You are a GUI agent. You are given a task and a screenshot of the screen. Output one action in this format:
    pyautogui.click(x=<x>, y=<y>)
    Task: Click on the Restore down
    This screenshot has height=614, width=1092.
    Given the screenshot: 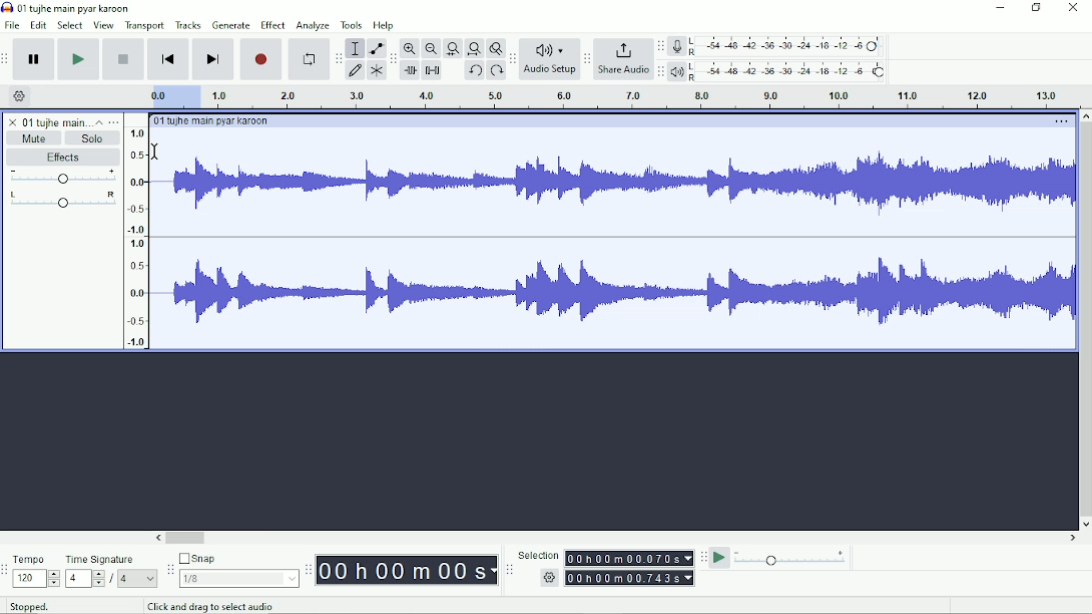 What is the action you would take?
    pyautogui.click(x=1037, y=8)
    